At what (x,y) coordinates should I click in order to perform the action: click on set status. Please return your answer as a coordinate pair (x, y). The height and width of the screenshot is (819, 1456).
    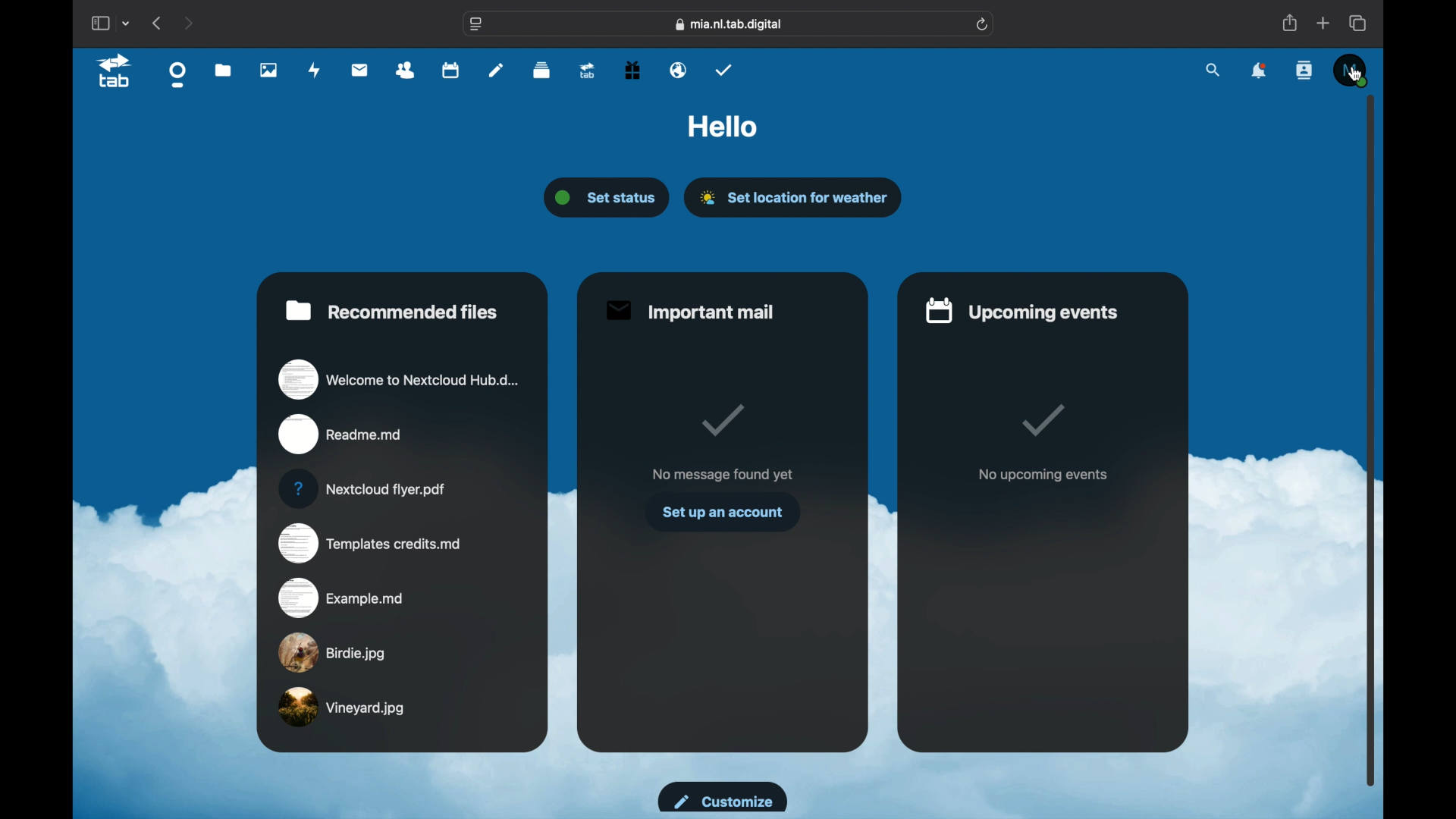
    Looking at the image, I should click on (609, 198).